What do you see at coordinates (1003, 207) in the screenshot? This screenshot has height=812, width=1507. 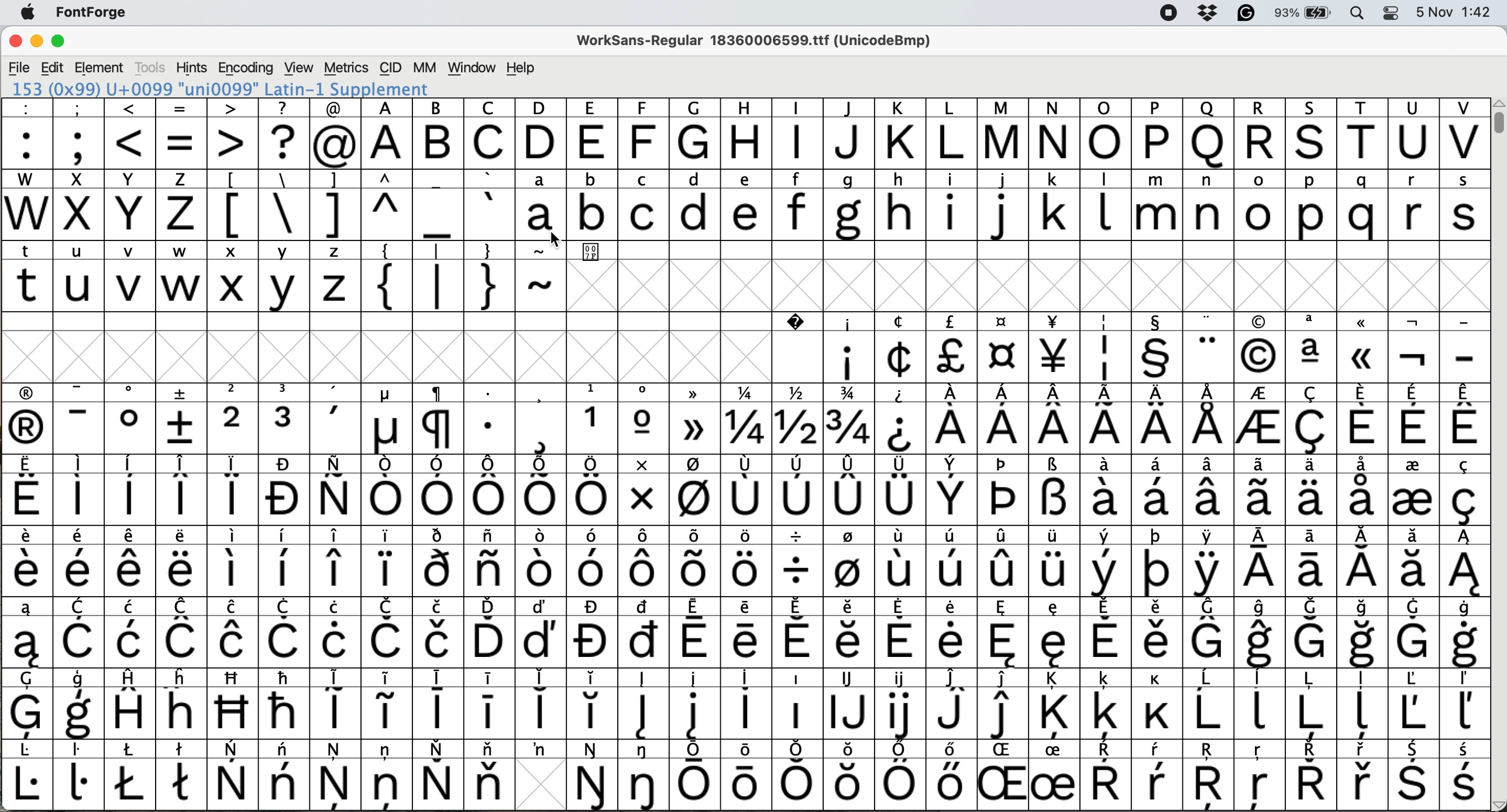 I see `j` at bounding box center [1003, 207].